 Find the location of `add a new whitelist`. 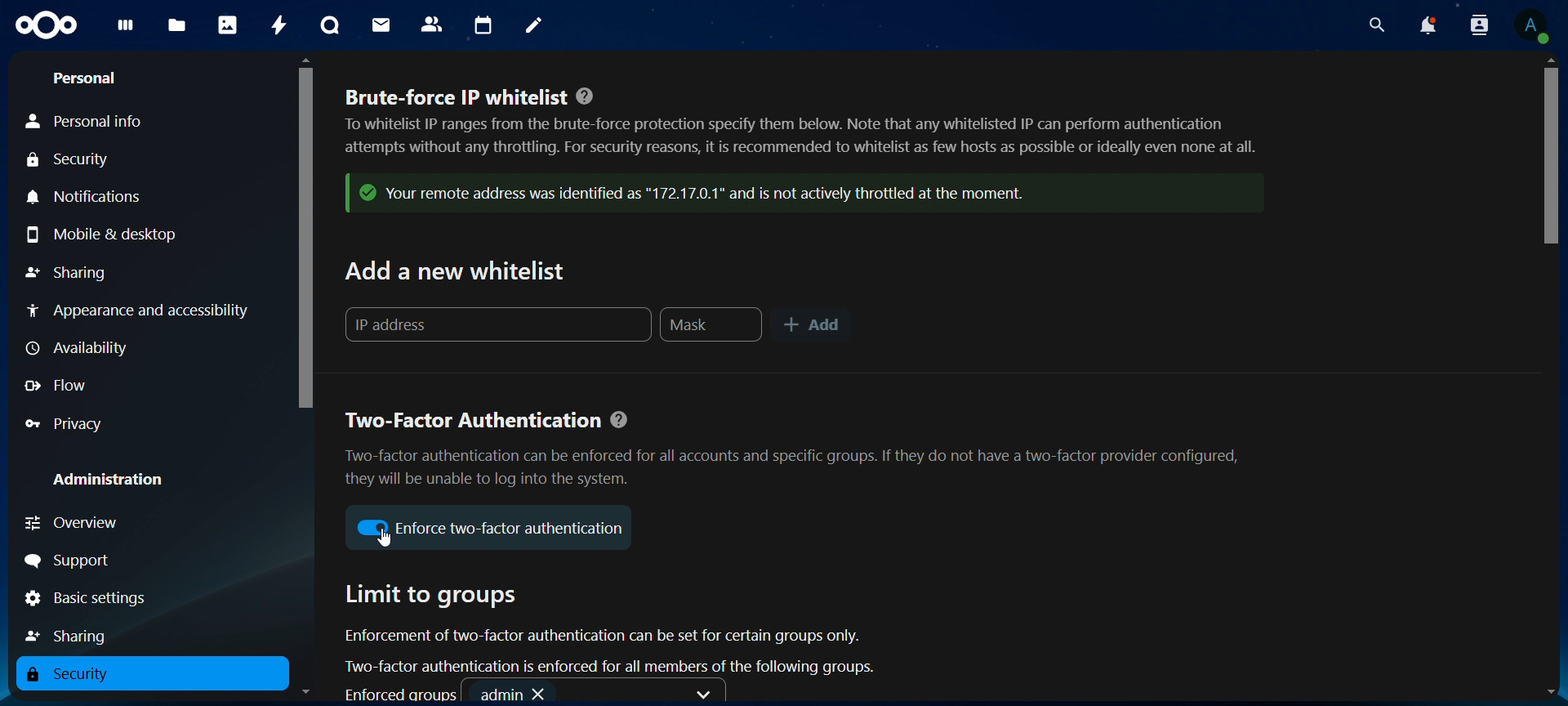

add a new whitelist is located at coordinates (457, 275).